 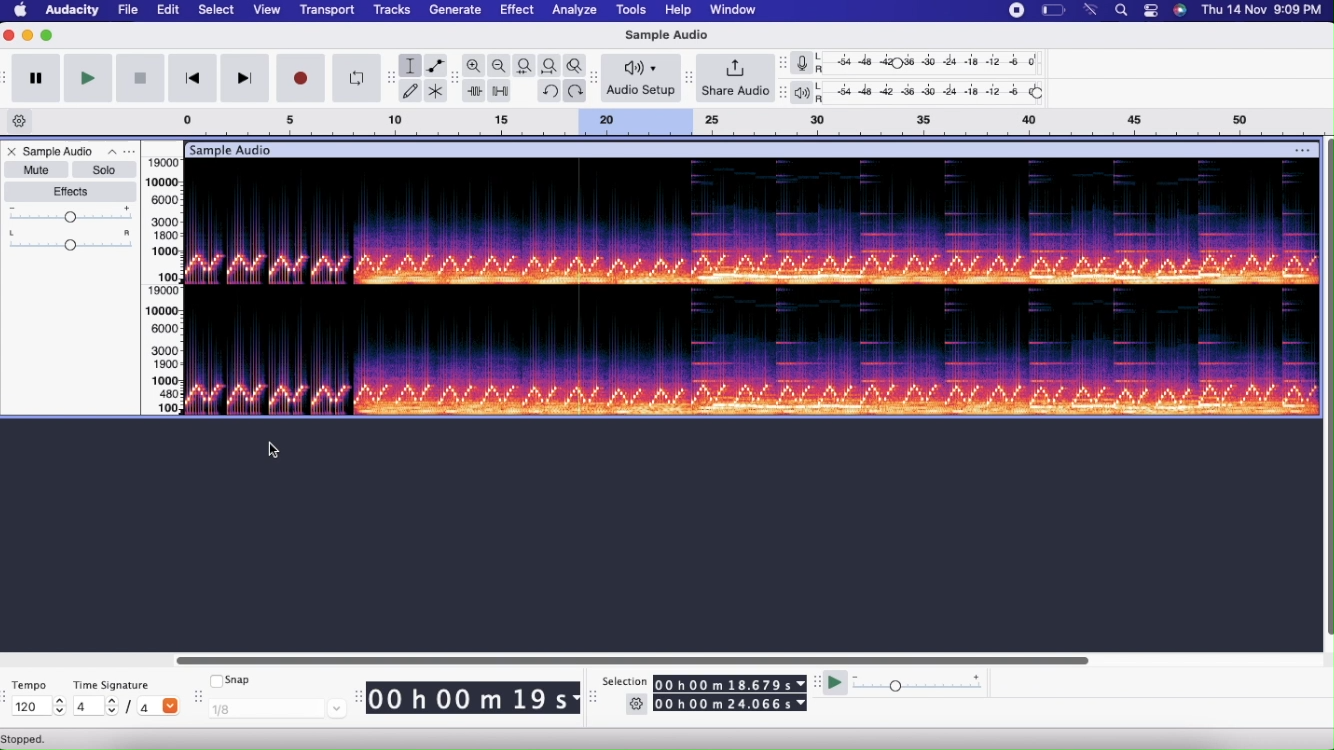 What do you see at coordinates (638, 658) in the screenshot?
I see `Slider` at bounding box center [638, 658].